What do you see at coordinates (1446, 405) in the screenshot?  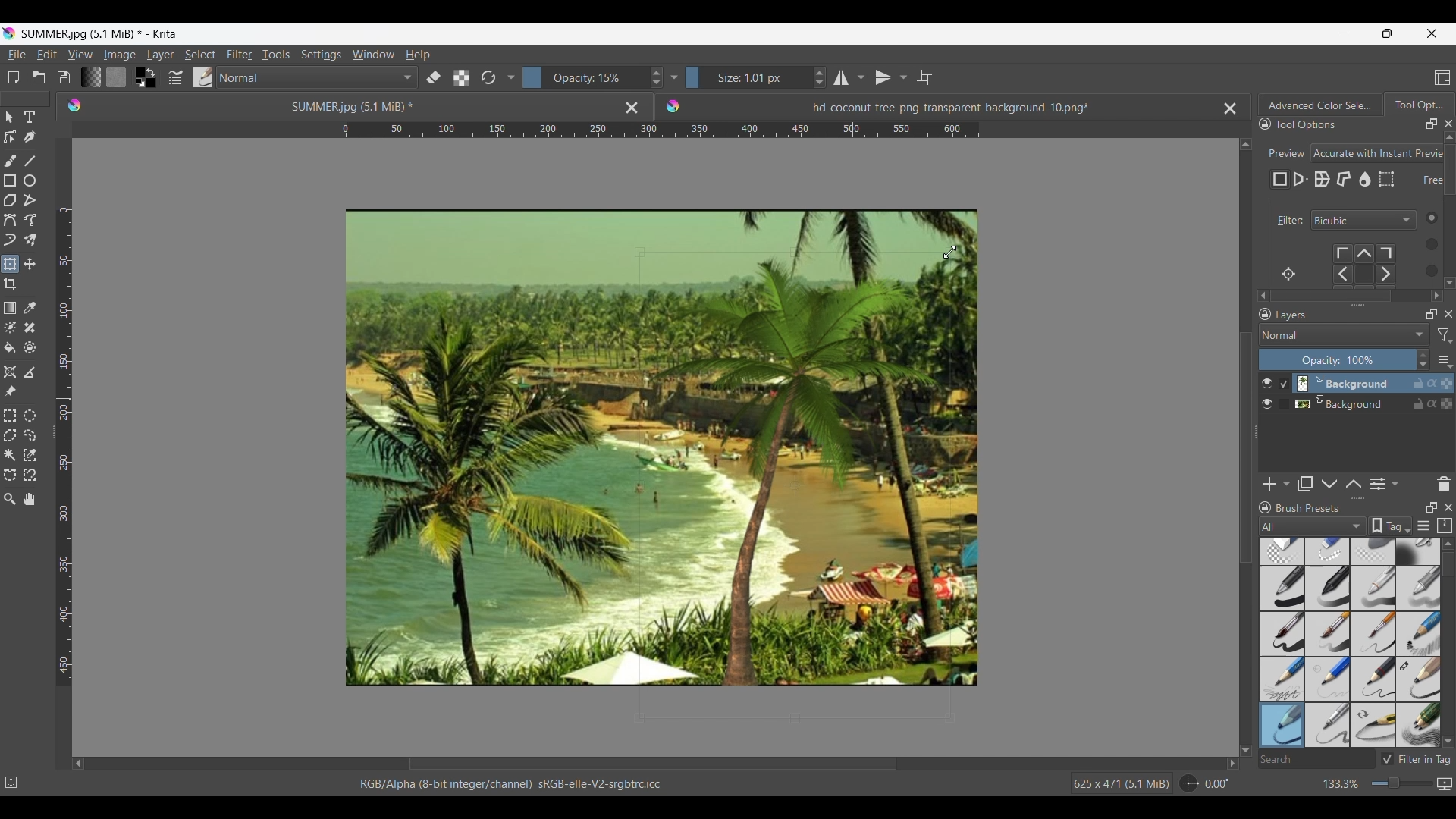 I see `Maximize` at bounding box center [1446, 405].